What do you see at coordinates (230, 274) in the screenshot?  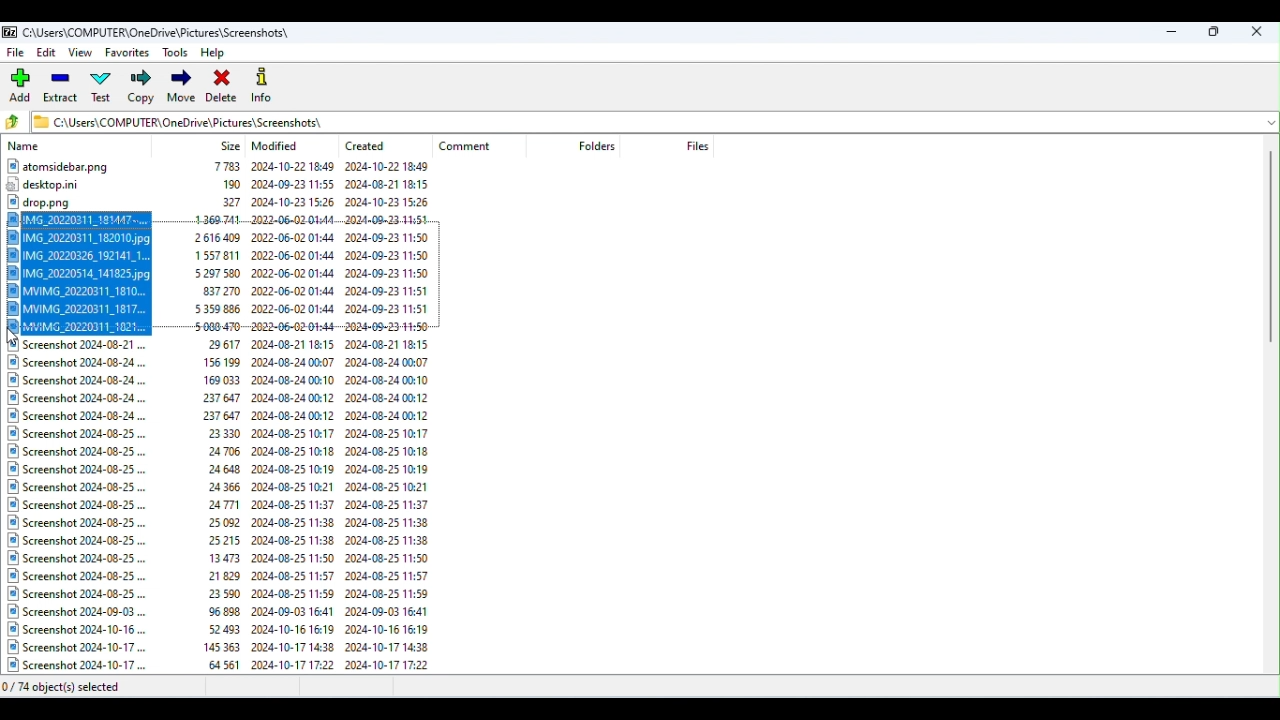 I see `Selected items` at bounding box center [230, 274].